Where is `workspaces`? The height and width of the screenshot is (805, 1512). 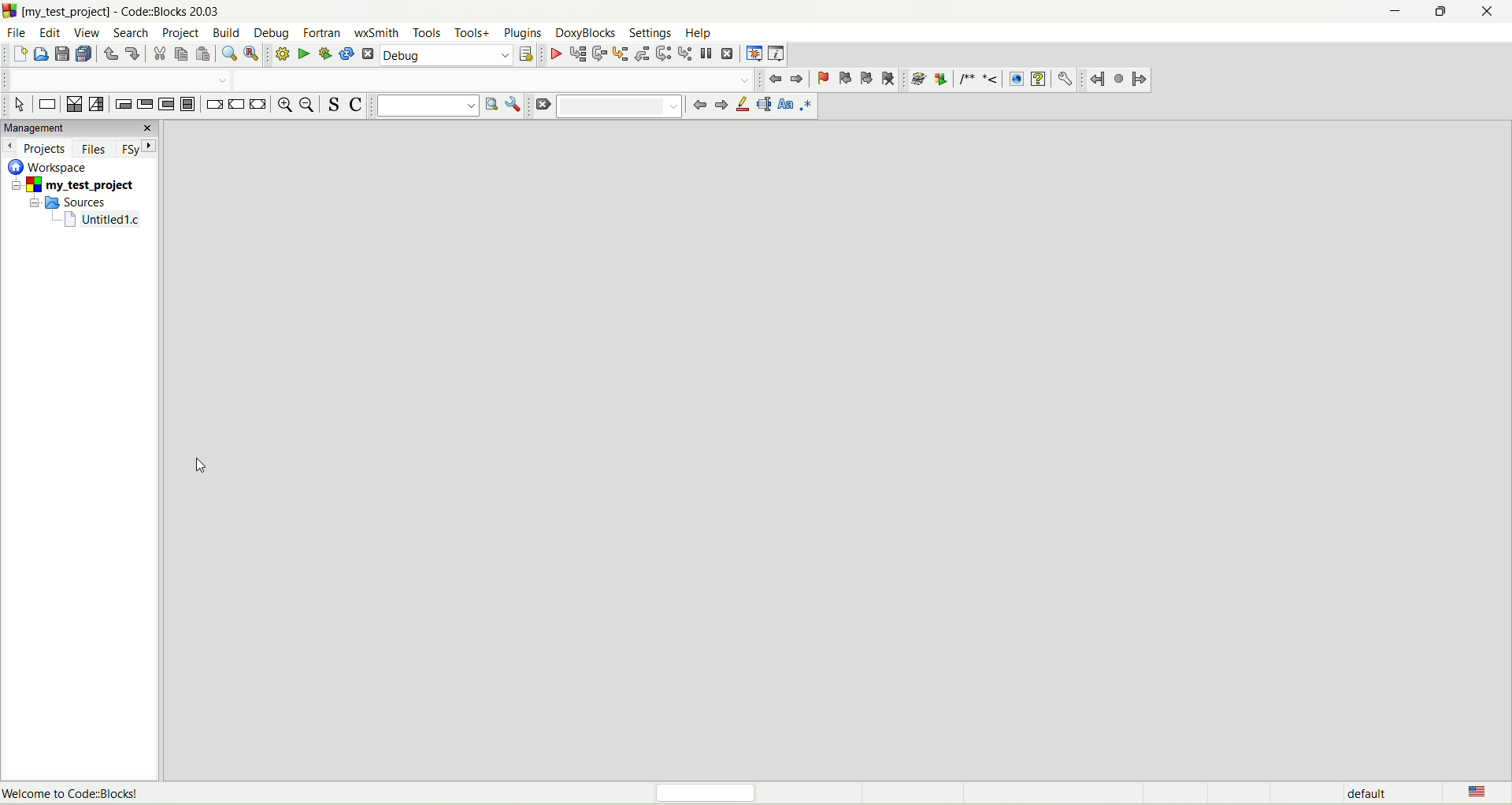 workspaces is located at coordinates (50, 168).